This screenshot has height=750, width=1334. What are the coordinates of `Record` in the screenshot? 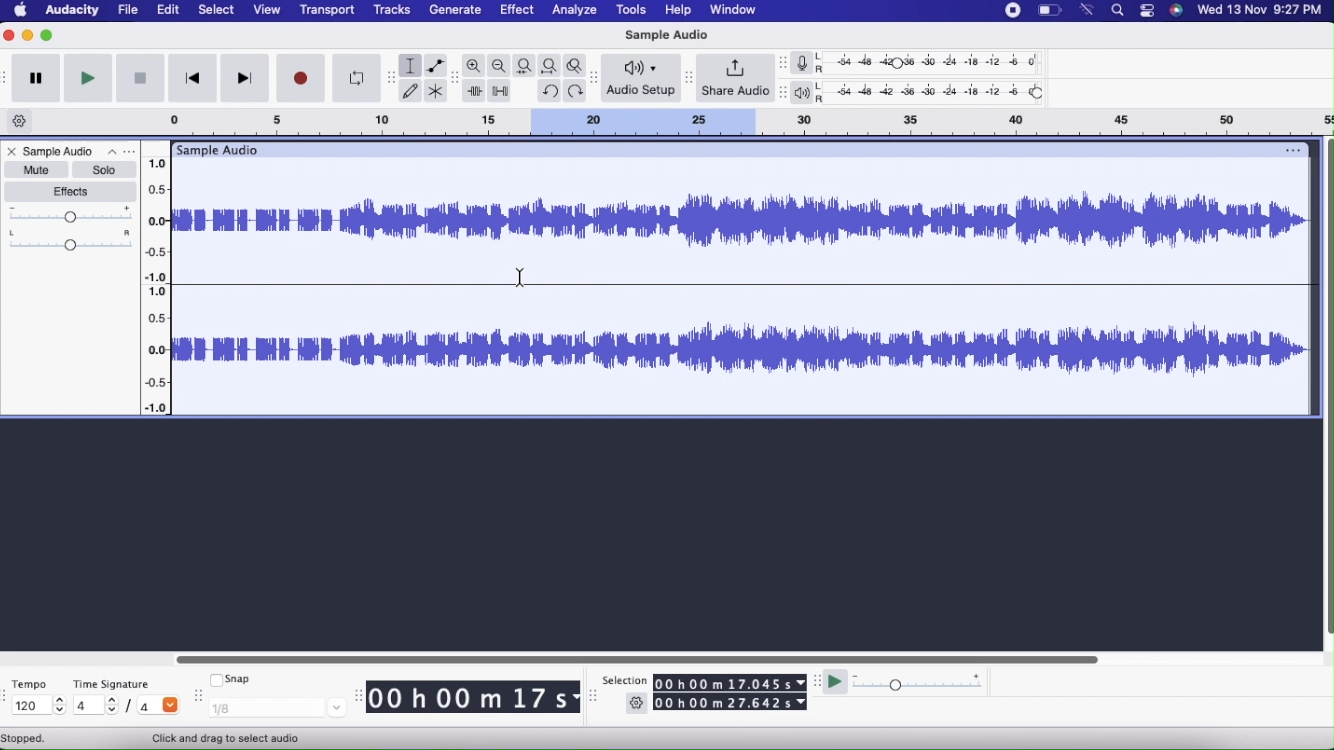 It's located at (302, 78).